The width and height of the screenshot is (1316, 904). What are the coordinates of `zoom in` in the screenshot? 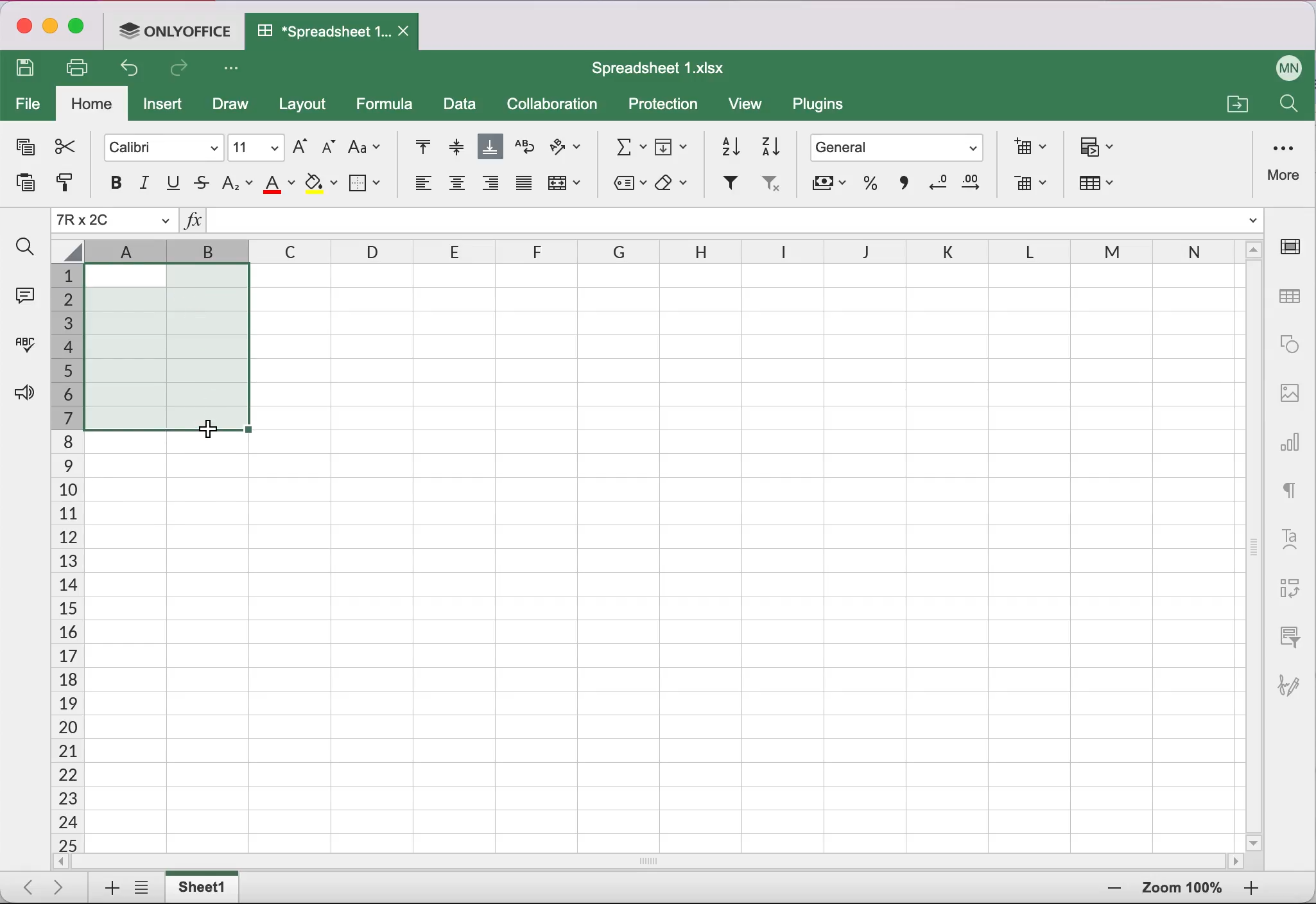 It's located at (1111, 889).